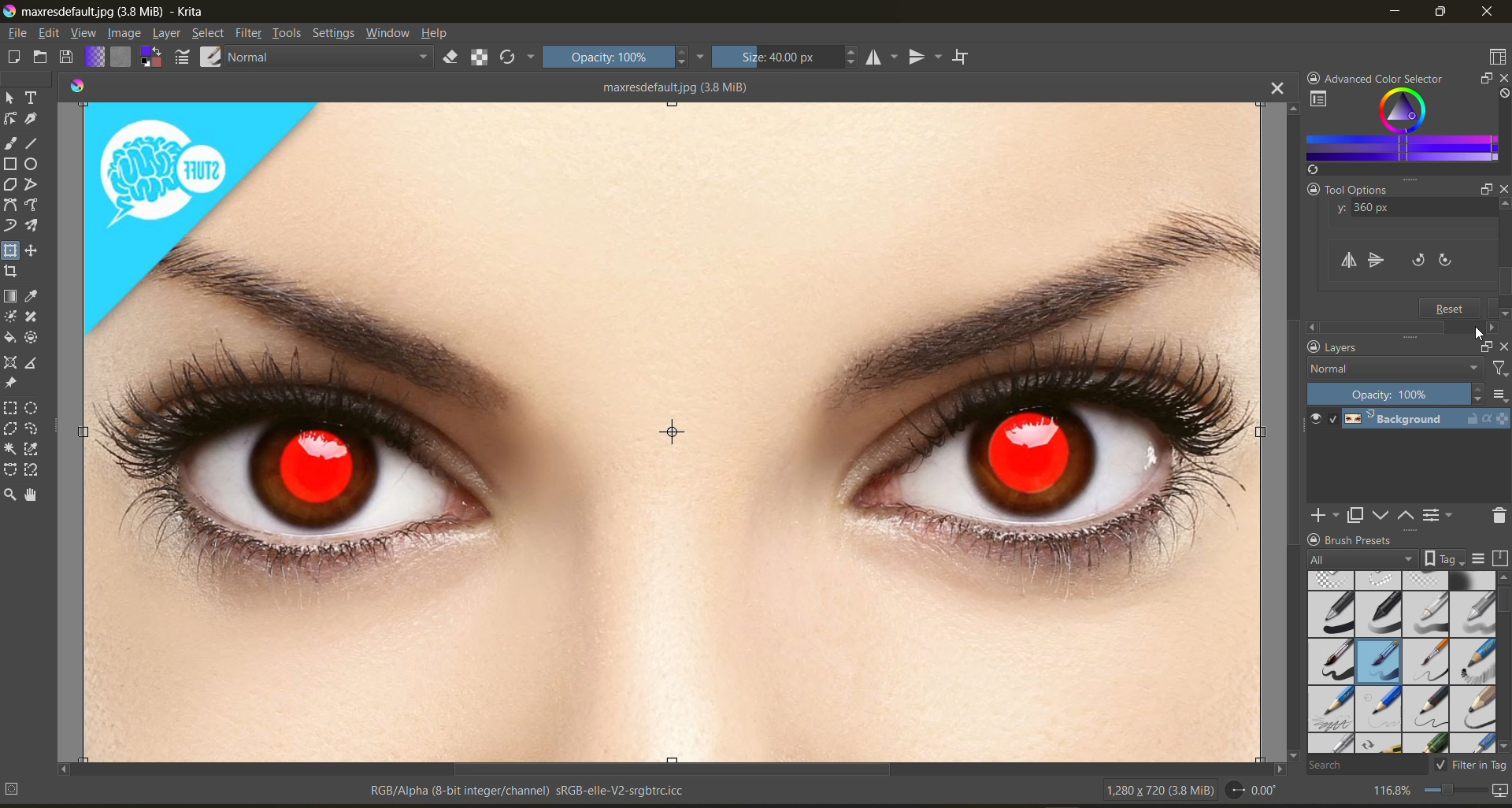 This screenshot has width=1512, height=808. Describe the element at coordinates (209, 35) in the screenshot. I see `select` at that location.